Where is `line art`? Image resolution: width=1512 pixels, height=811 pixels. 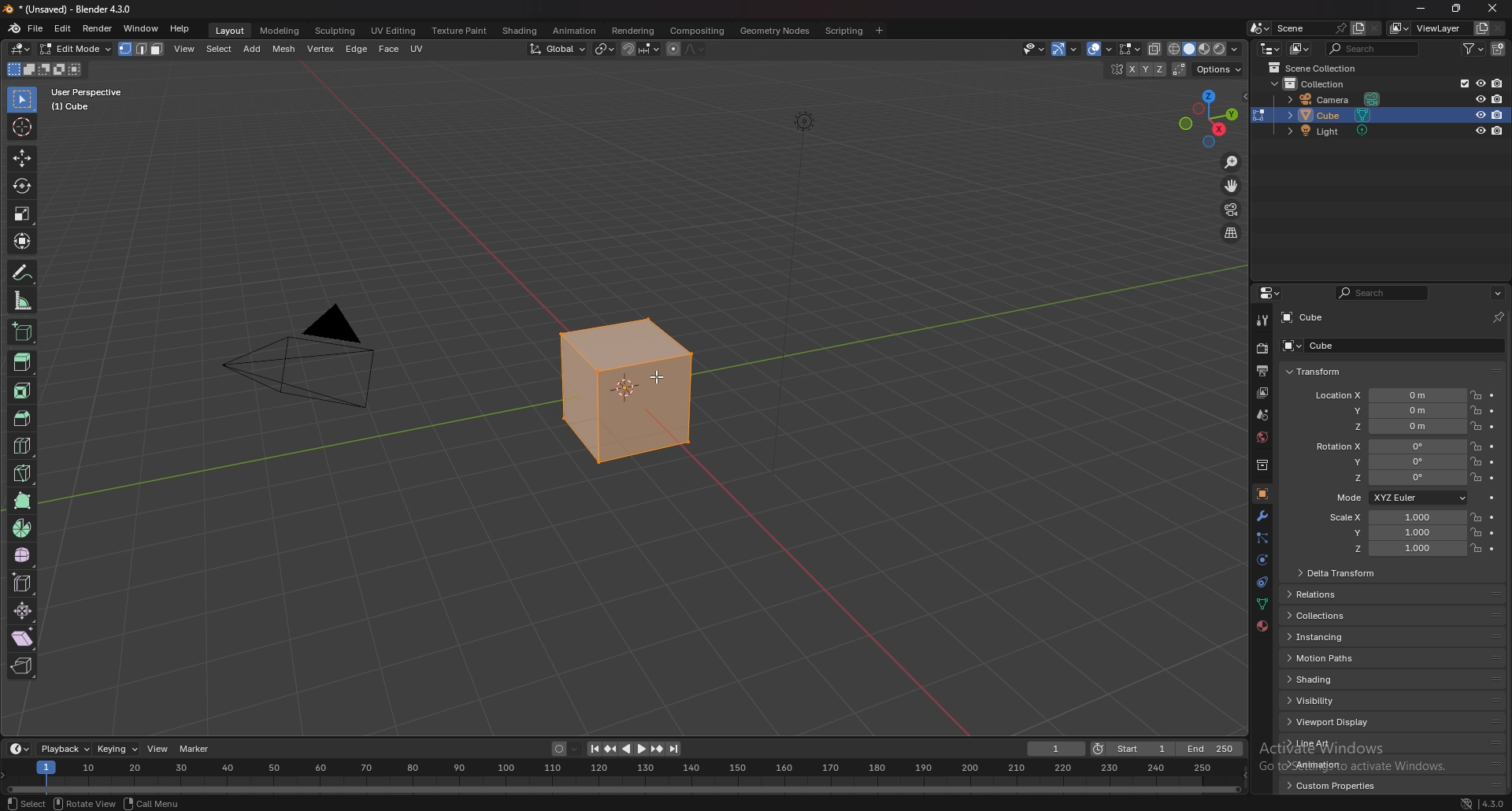 line art is located at coordinates (1320, 742).